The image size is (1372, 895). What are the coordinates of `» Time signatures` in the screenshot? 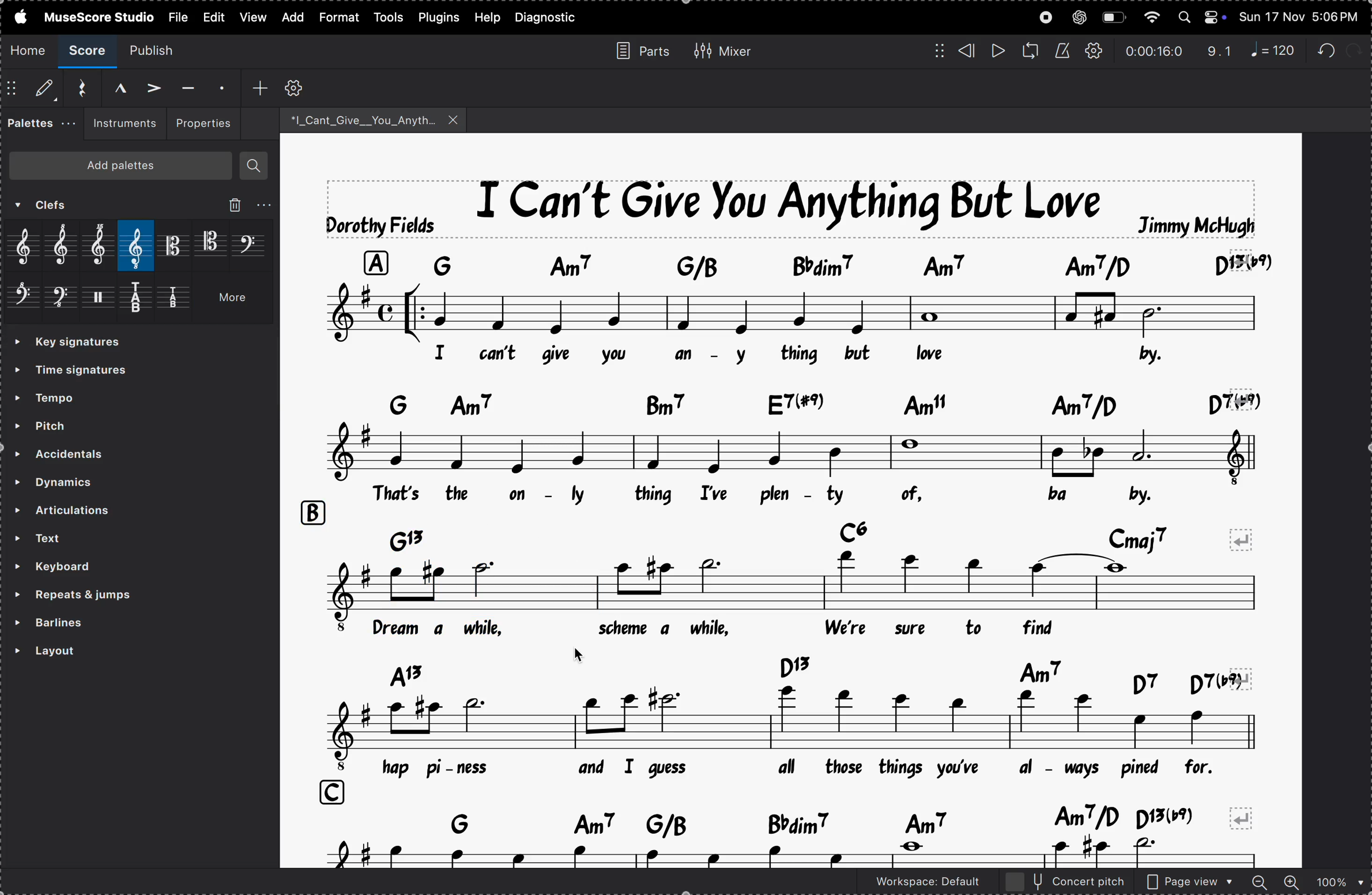 It's located at (75, 343).